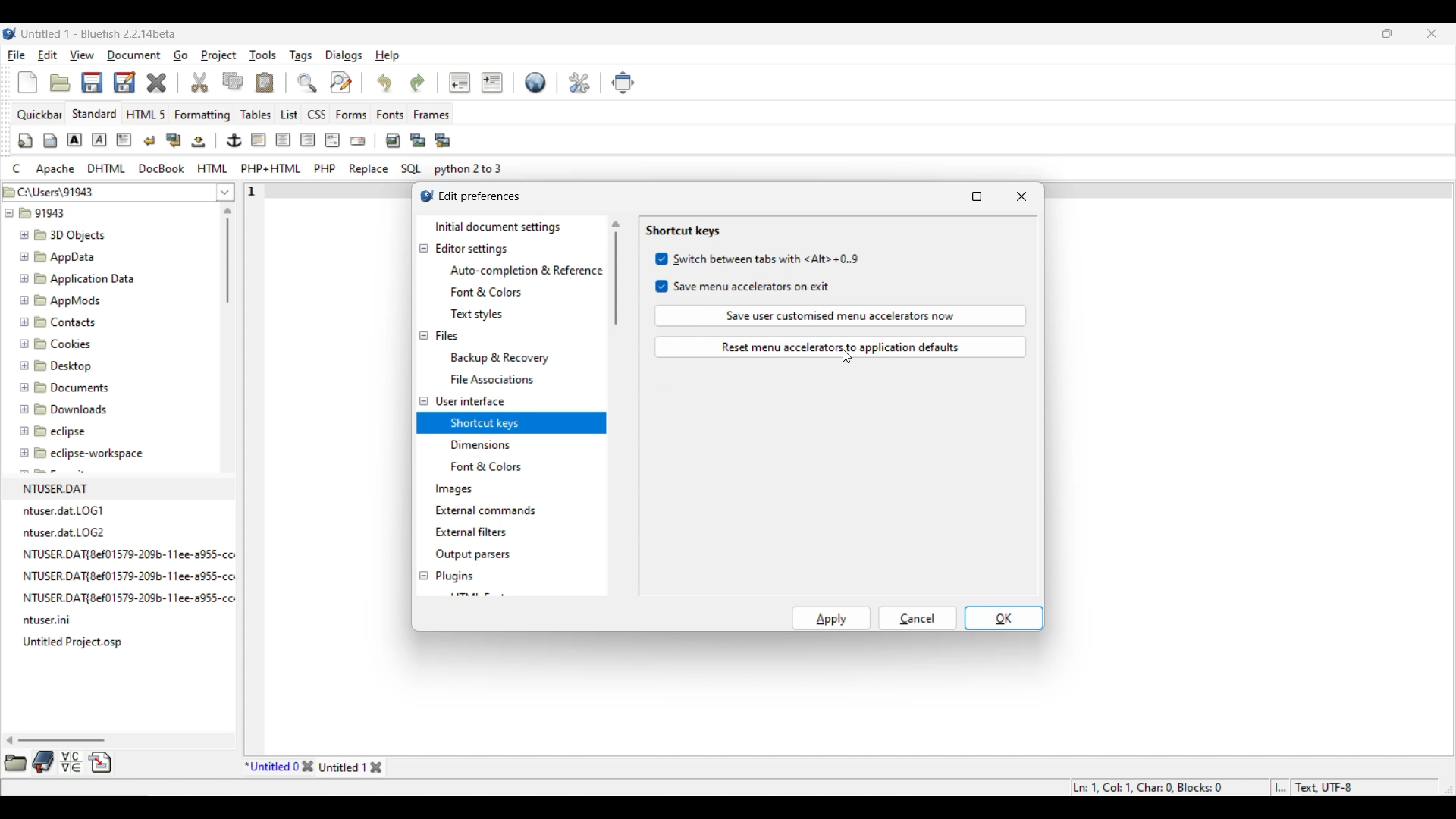  What do you see at coordinates (476, 314) in the screenshot?
I see `Text styles` at bounding box center [476, 314].